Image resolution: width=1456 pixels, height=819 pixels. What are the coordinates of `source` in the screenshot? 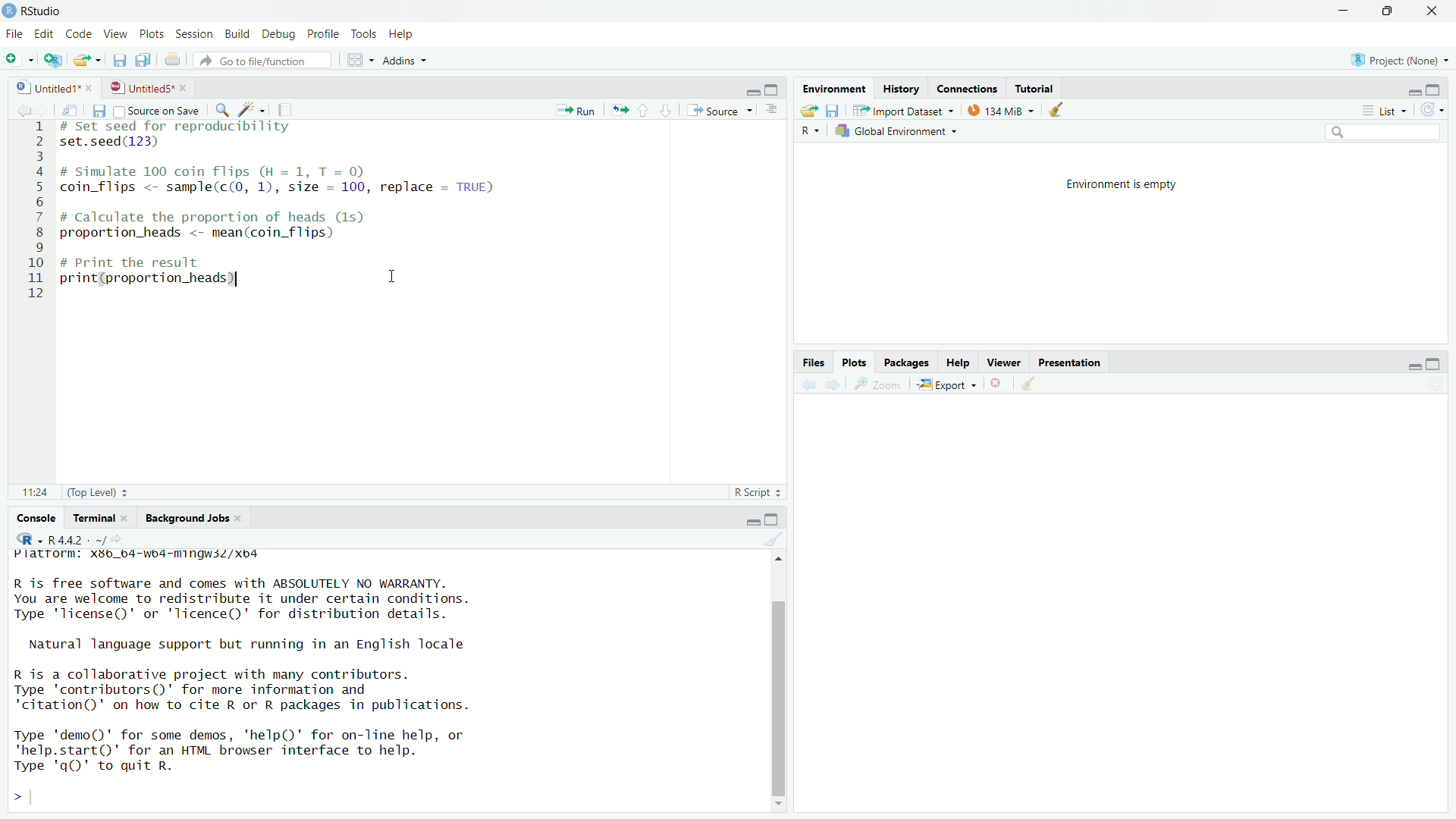 It's located at (722, 111).